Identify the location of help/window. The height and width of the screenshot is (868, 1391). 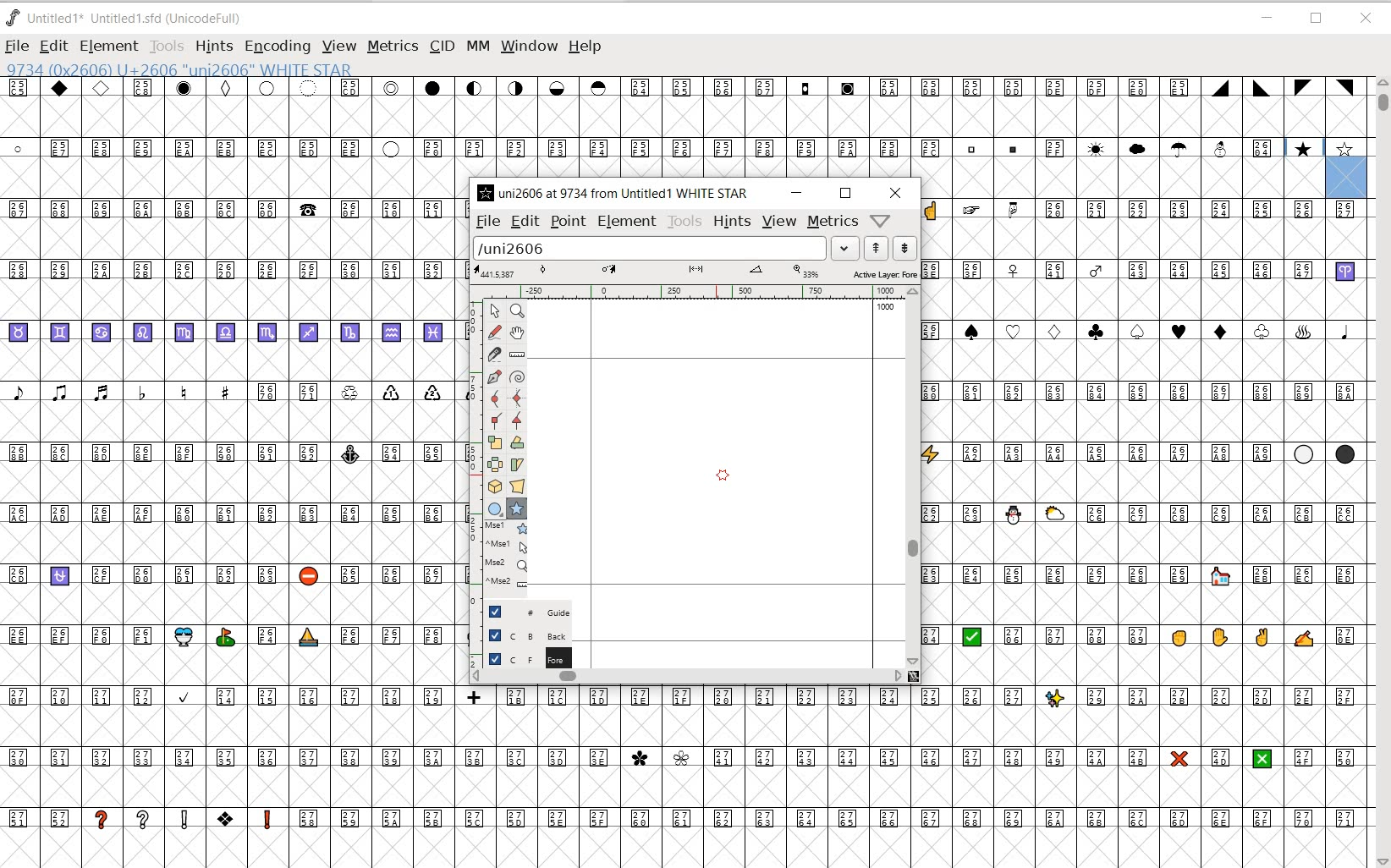
(880, 220).